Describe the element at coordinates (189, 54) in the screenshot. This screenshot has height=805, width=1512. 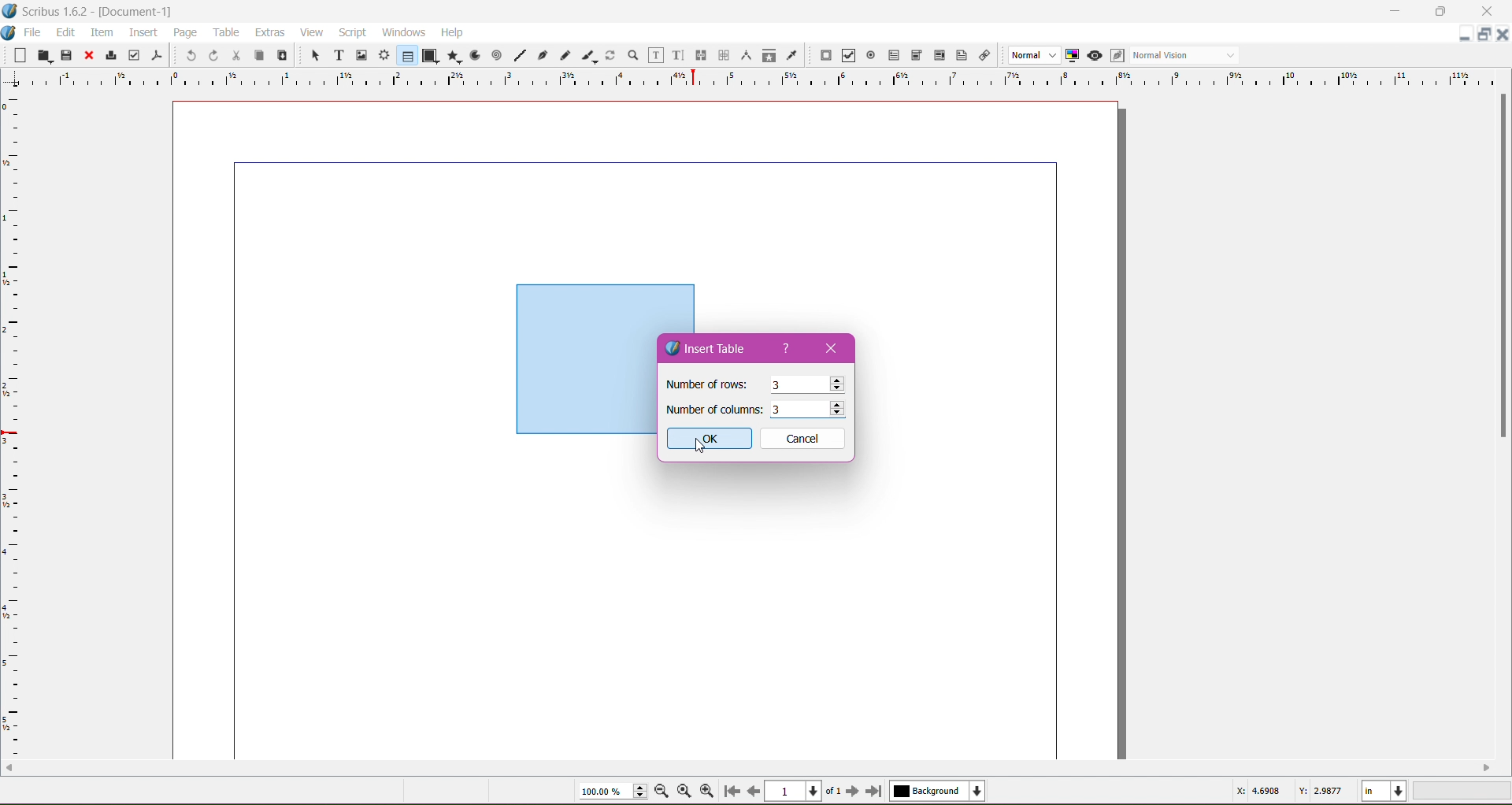
I see `Undo` at that location.